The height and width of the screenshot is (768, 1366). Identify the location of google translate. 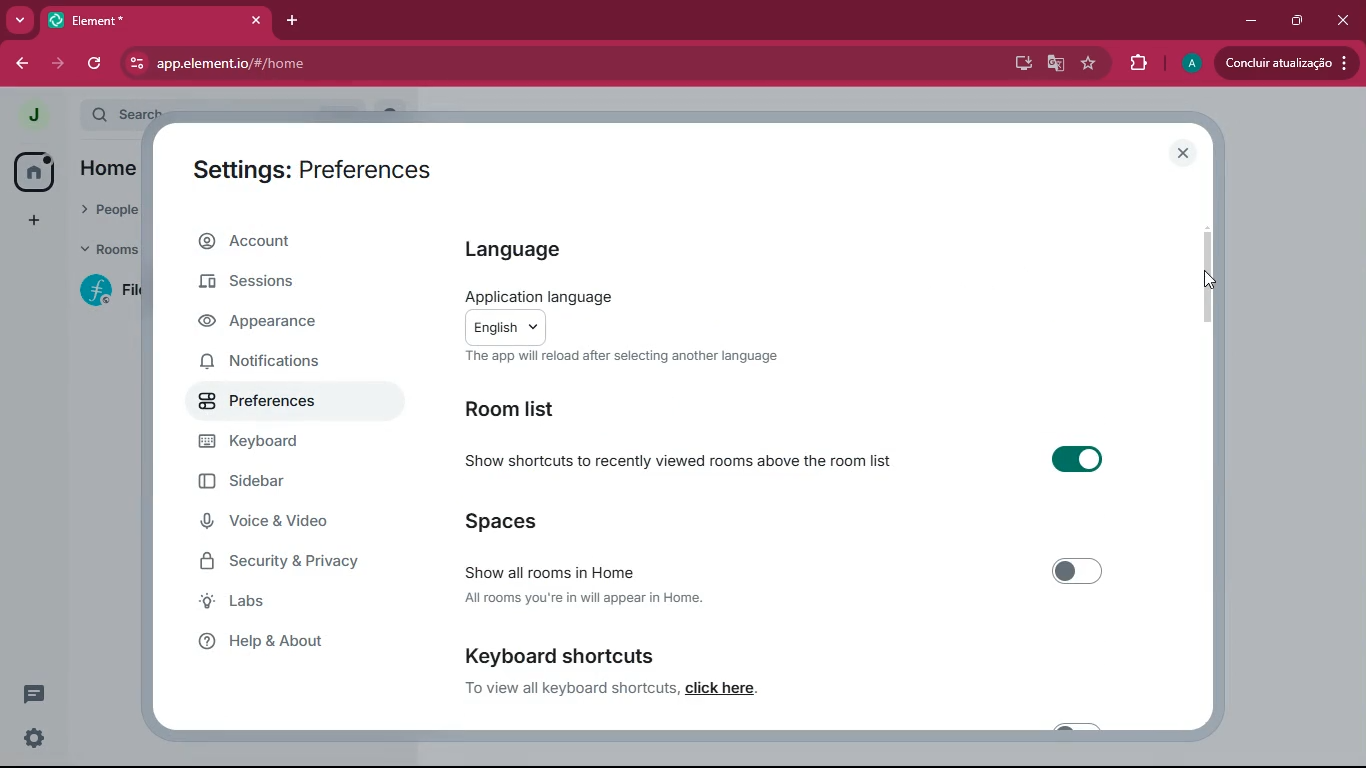
(1060, 63).